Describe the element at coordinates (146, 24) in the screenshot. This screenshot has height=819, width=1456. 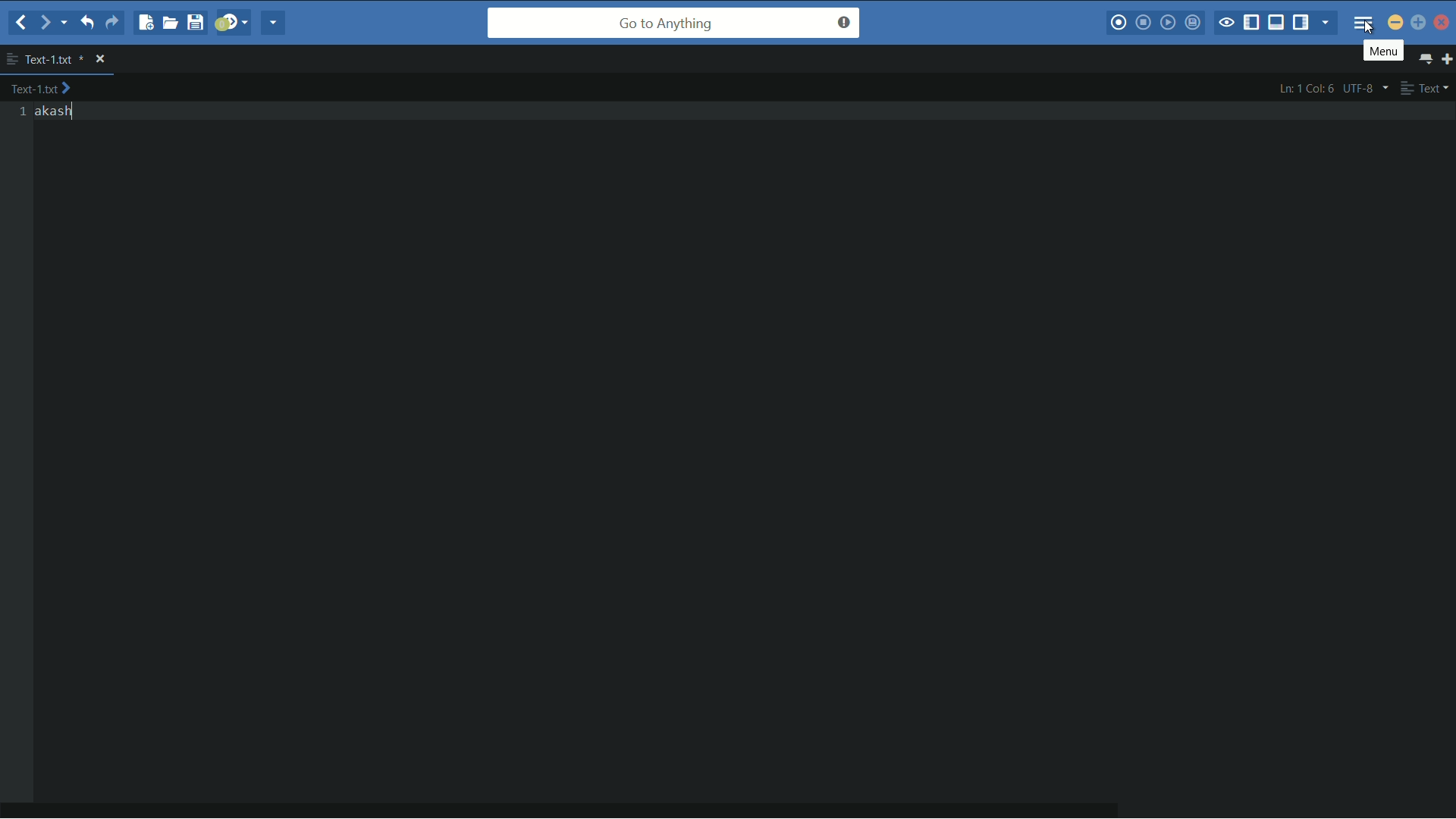
I see `new file` at that location.